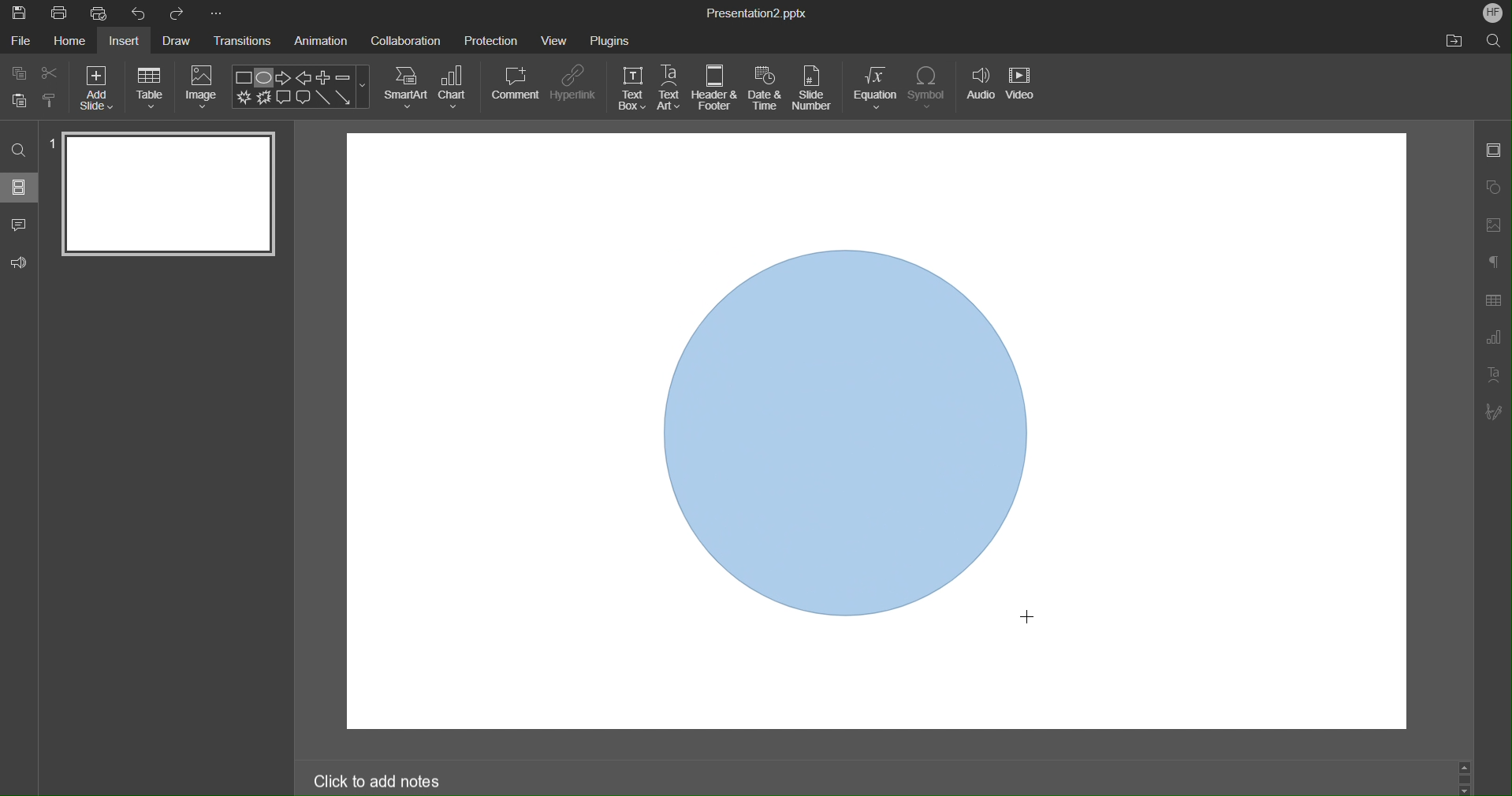 The width and height of the screenshot is (1512, 796). Describe the element at coordinates (929, 88) in the screenshot. I see `Symbol` at that location.